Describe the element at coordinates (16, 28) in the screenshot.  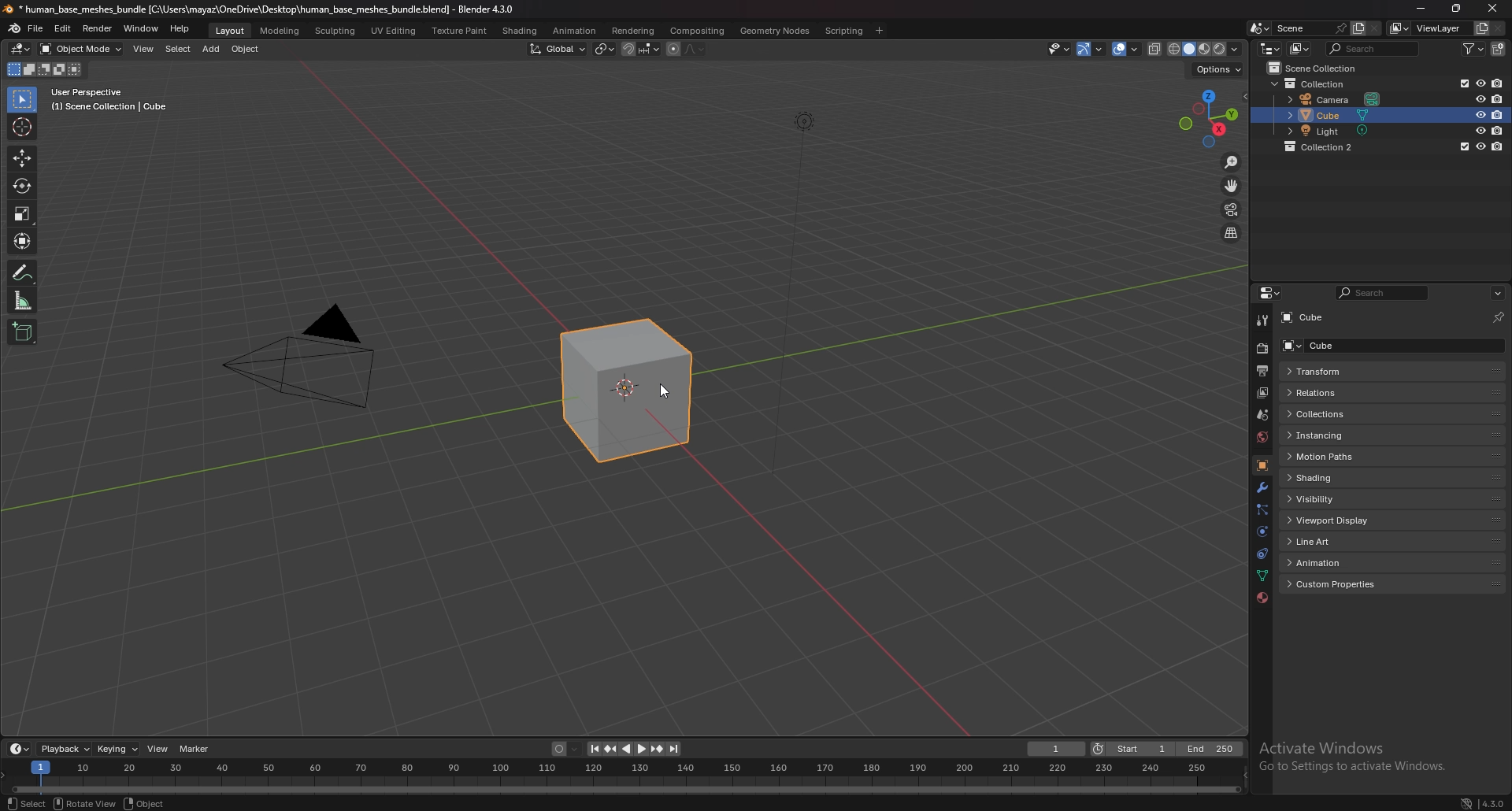
I see `blender` at that location.